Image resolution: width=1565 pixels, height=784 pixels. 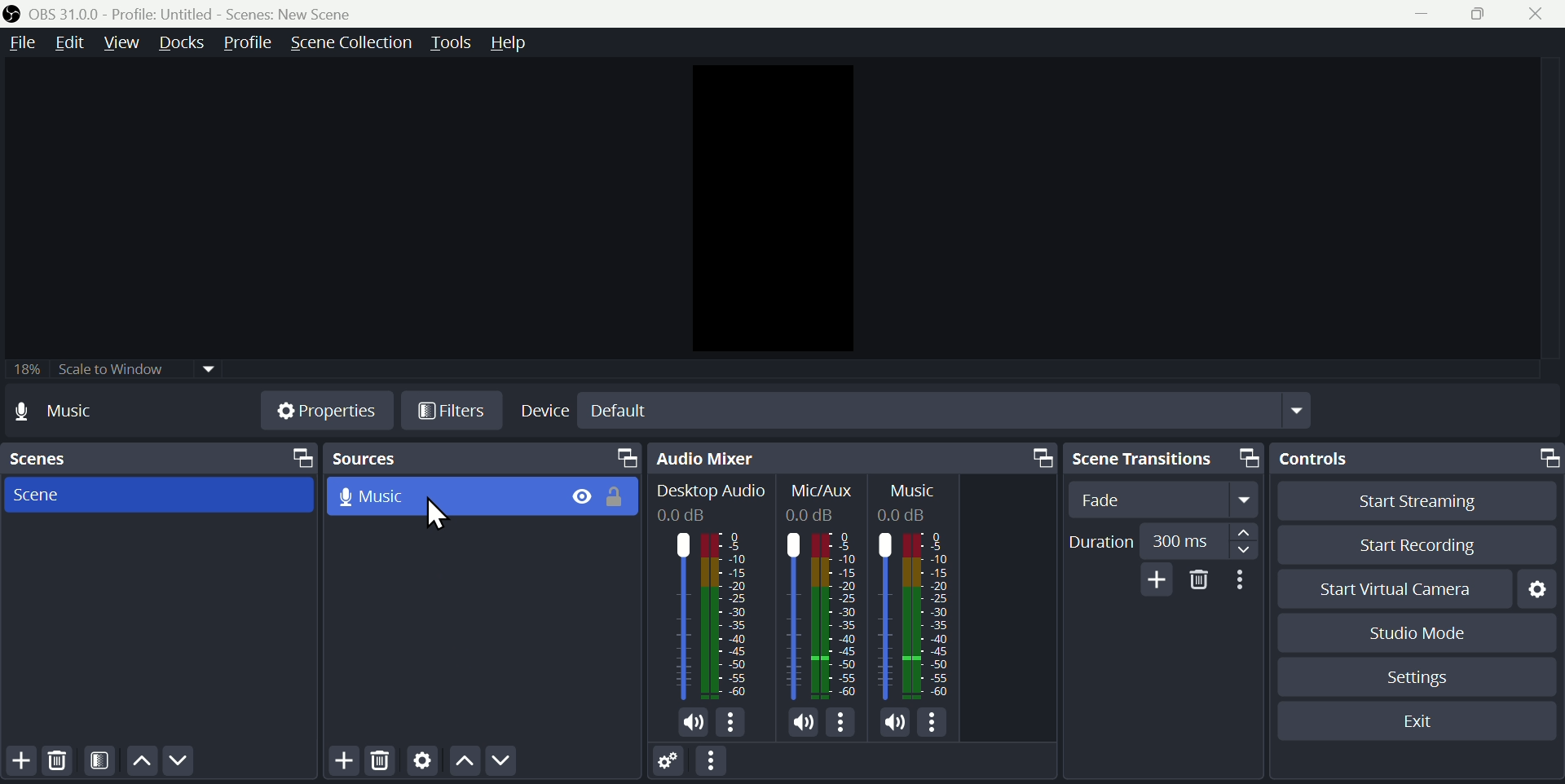 I want to click on close, so click(x=1540, y=12).